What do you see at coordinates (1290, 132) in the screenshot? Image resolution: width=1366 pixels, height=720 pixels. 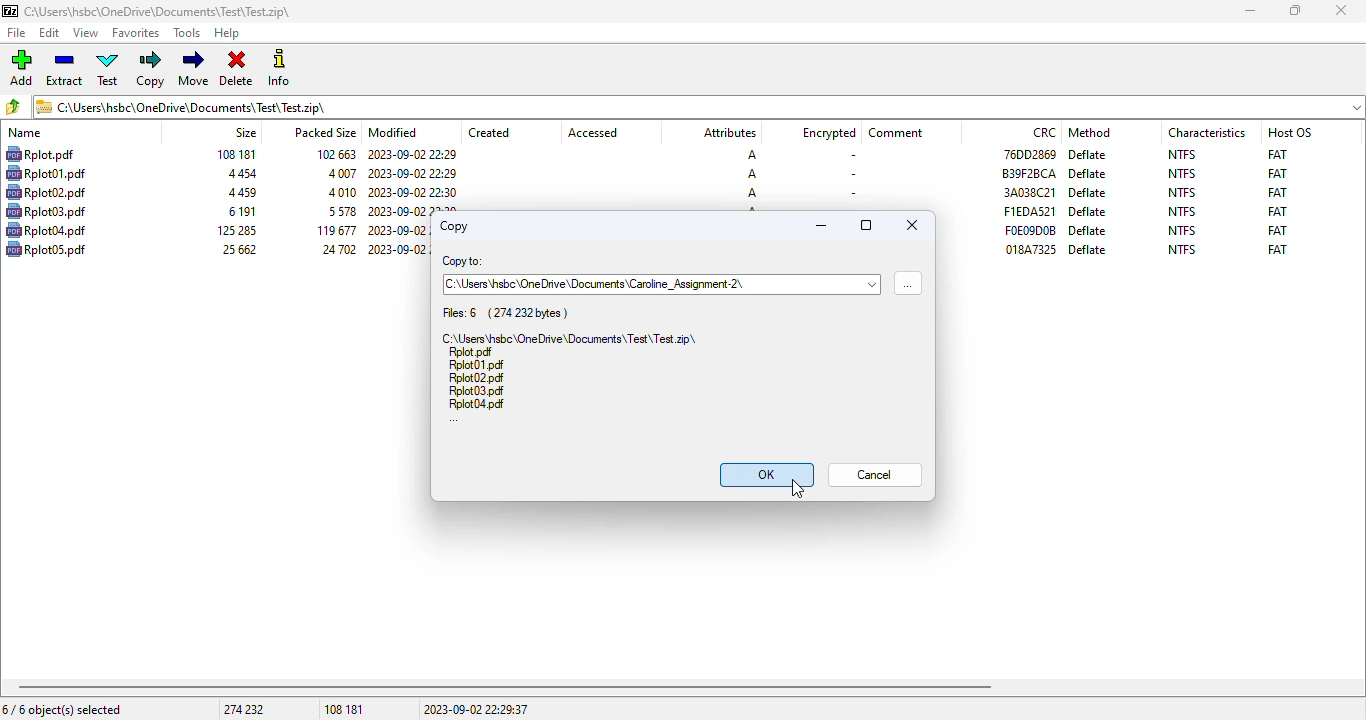 I see `host OS` at bounding box center [1290, 132].